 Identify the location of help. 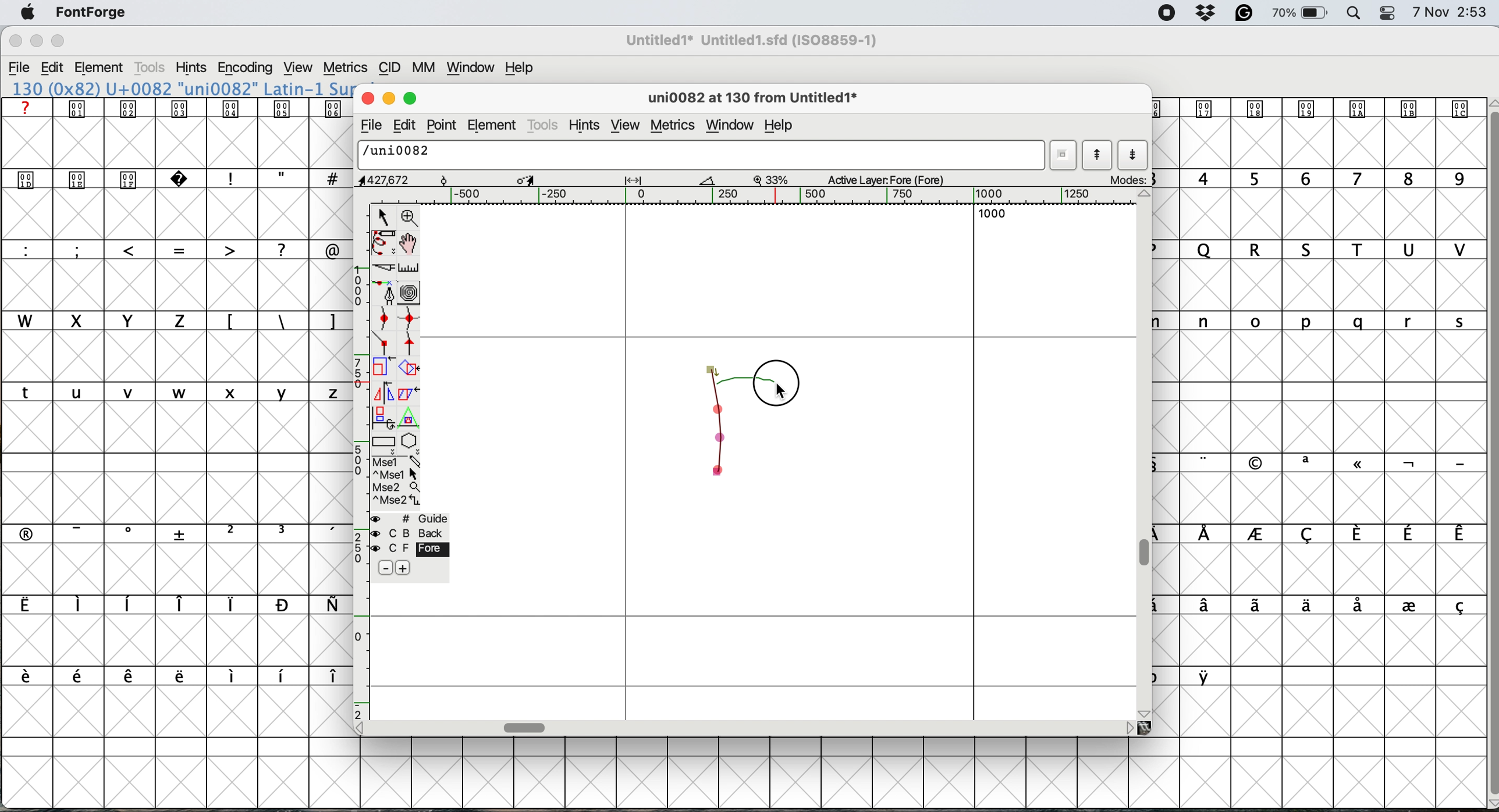
(517, 69).